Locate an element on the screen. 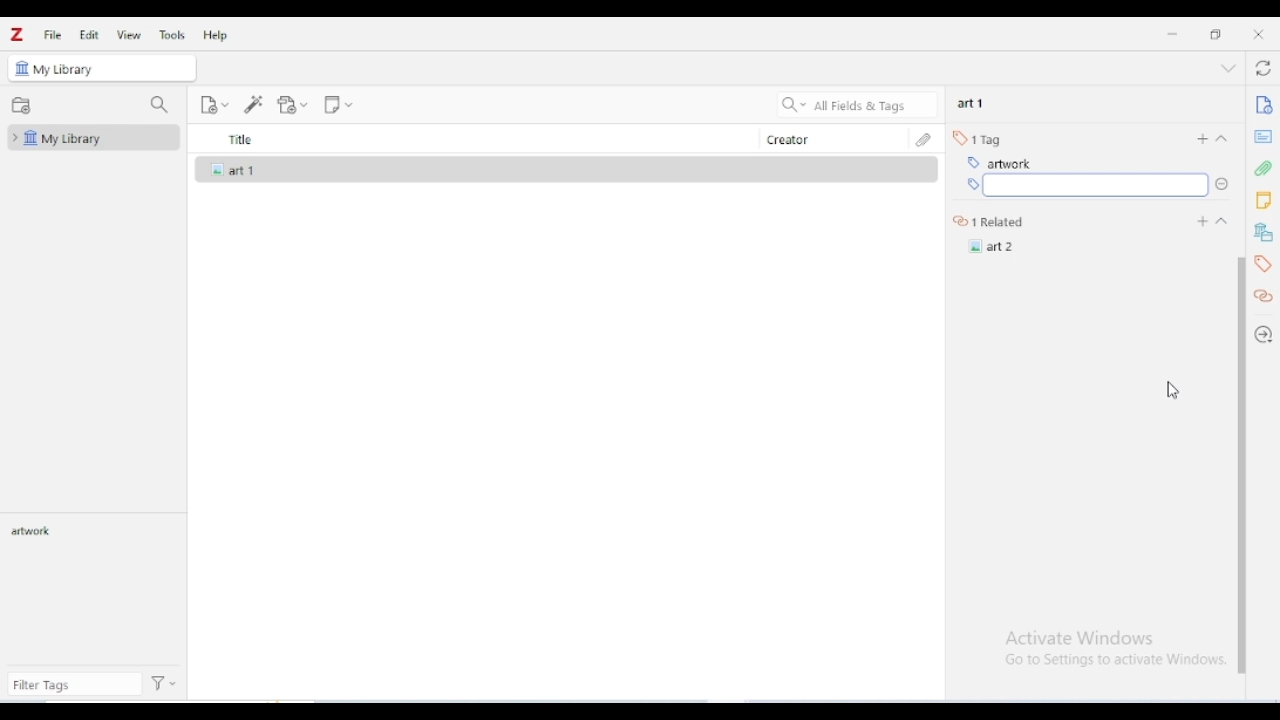 The image size is (1280, 720). tags is located at coordinates (1262, 264).